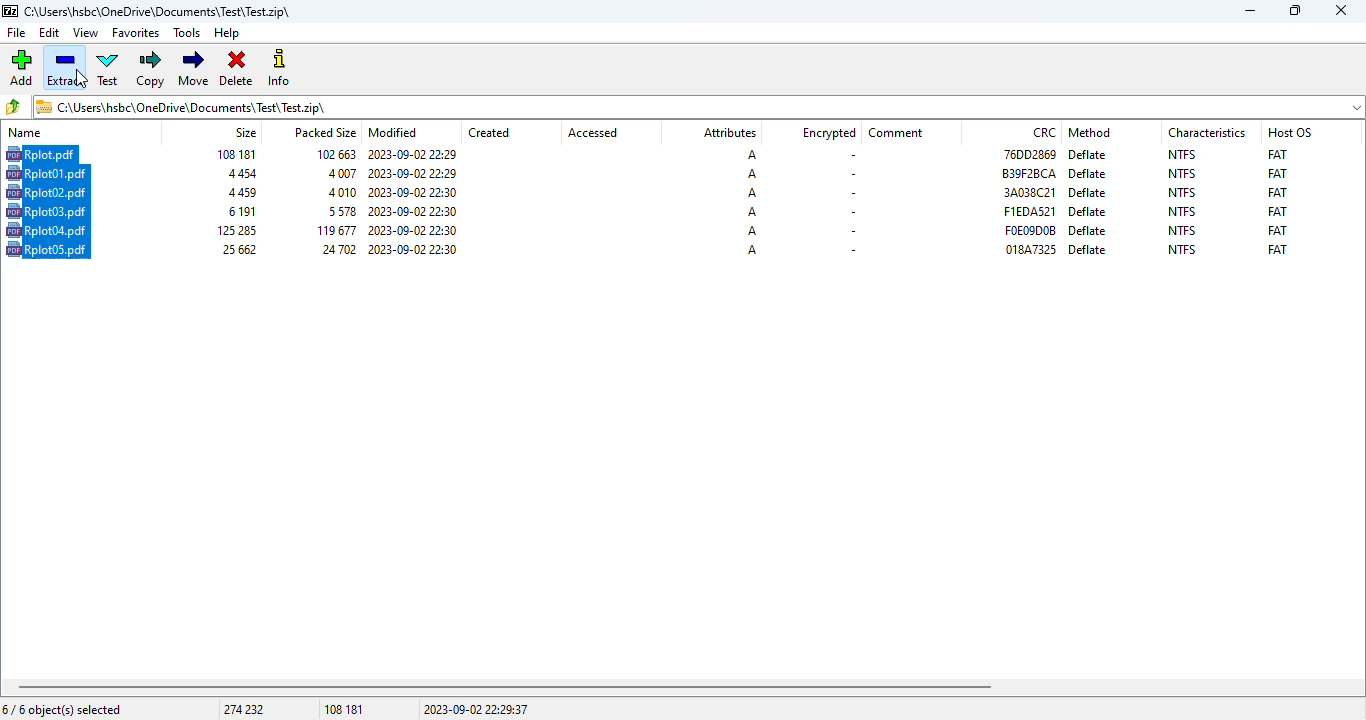 This screenshot has width=1366, height=720. I want to click on CRC, so click(1028, 153).